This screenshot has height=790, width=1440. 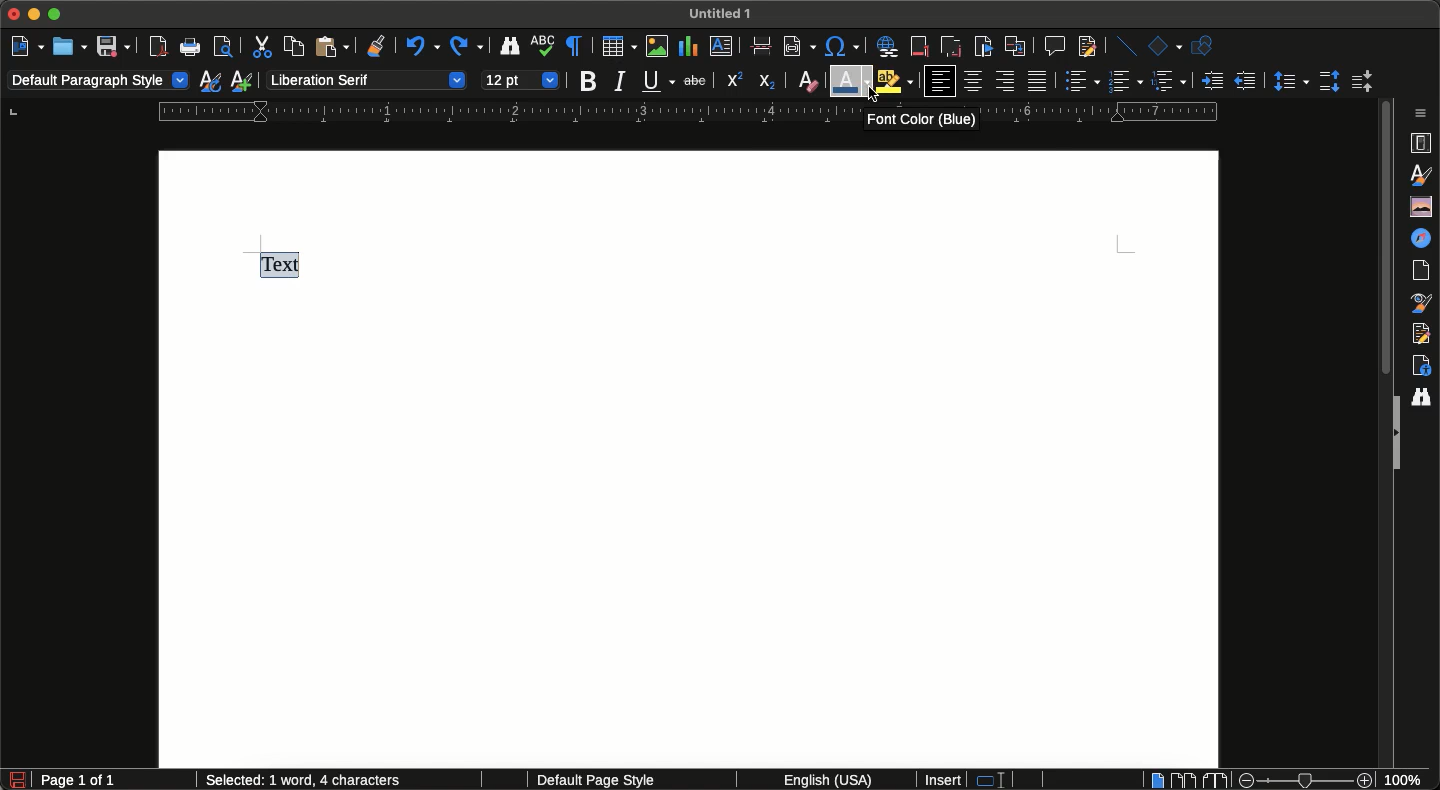 I want to click on Navigator, so click(x=1425, y=238).